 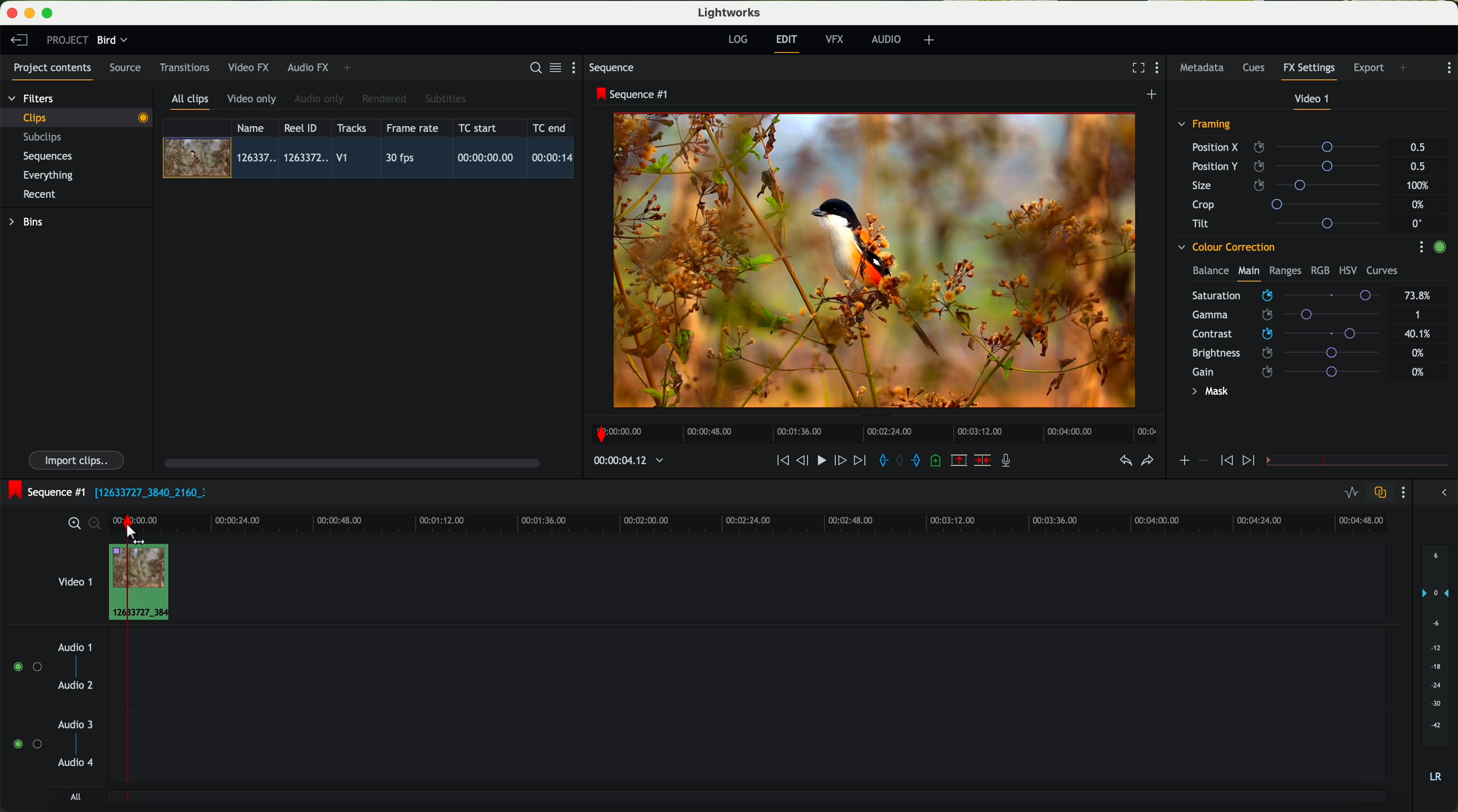 What do you see at coordinates (837, 40) in the screenshot?
I see `VFX` at bounding box center [837, 40].